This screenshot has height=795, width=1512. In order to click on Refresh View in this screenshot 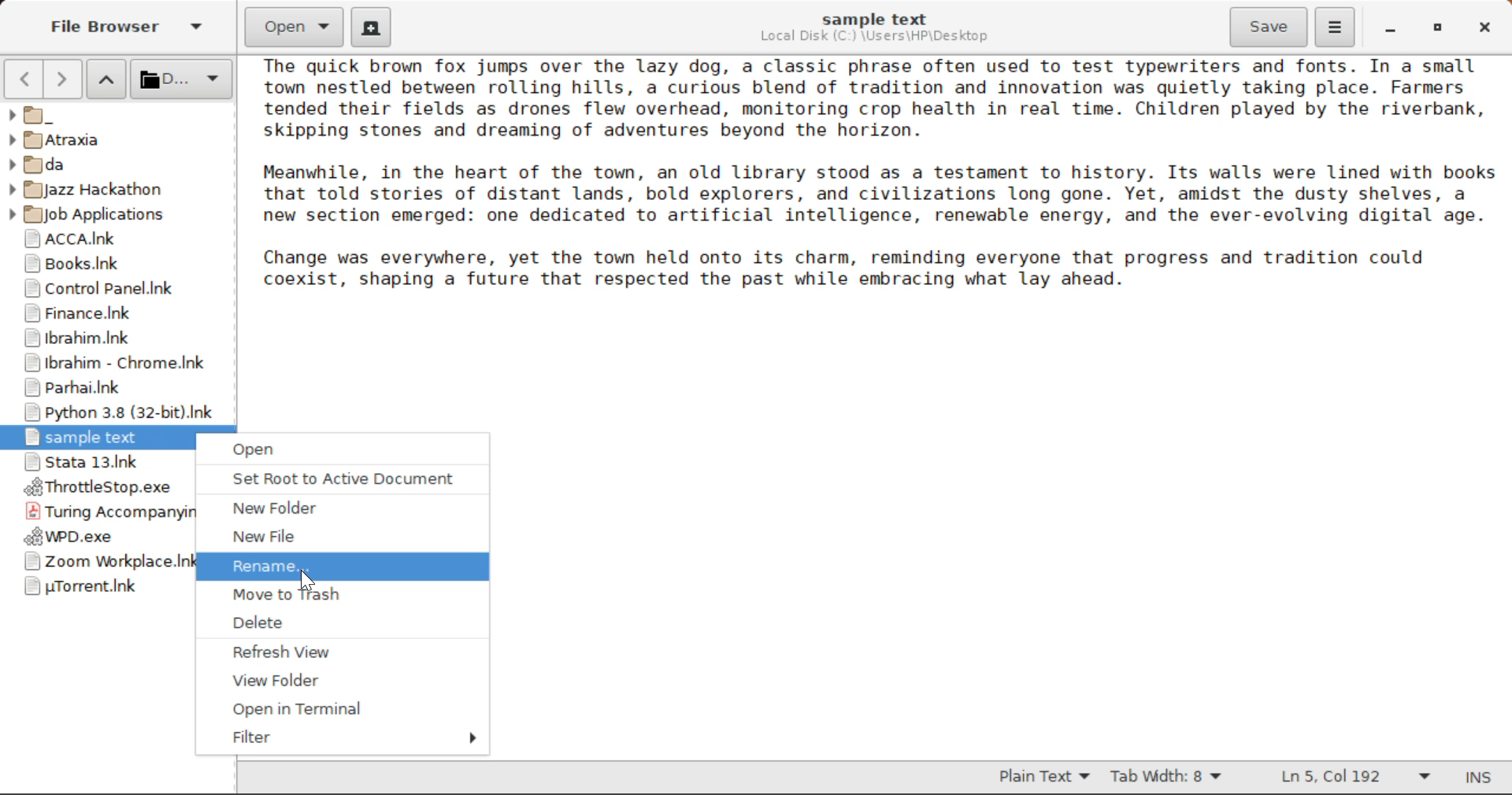, I will do `click(335, 651)`.